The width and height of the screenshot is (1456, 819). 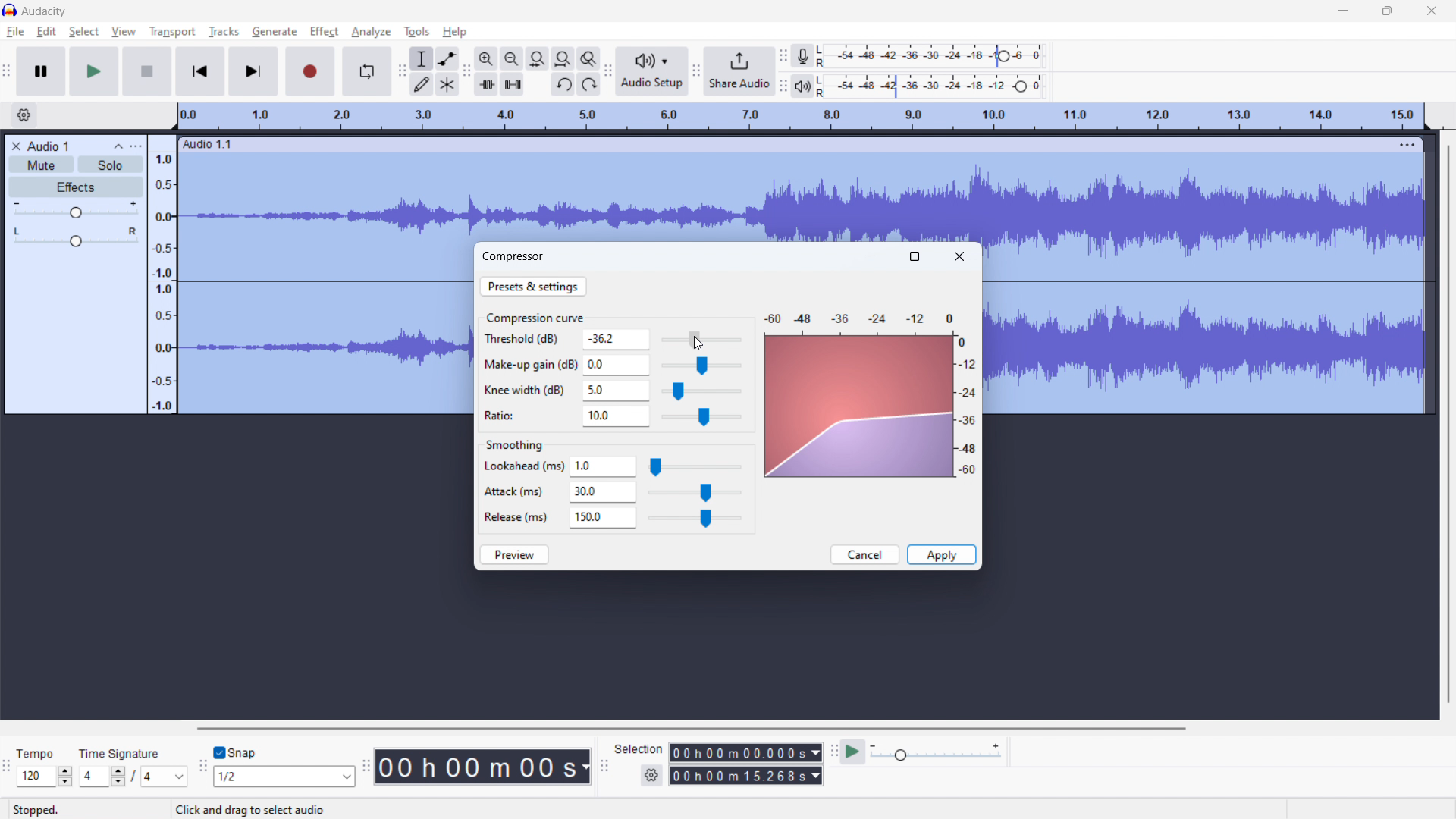 I want to click on cursor, so click(x=698, y=344).